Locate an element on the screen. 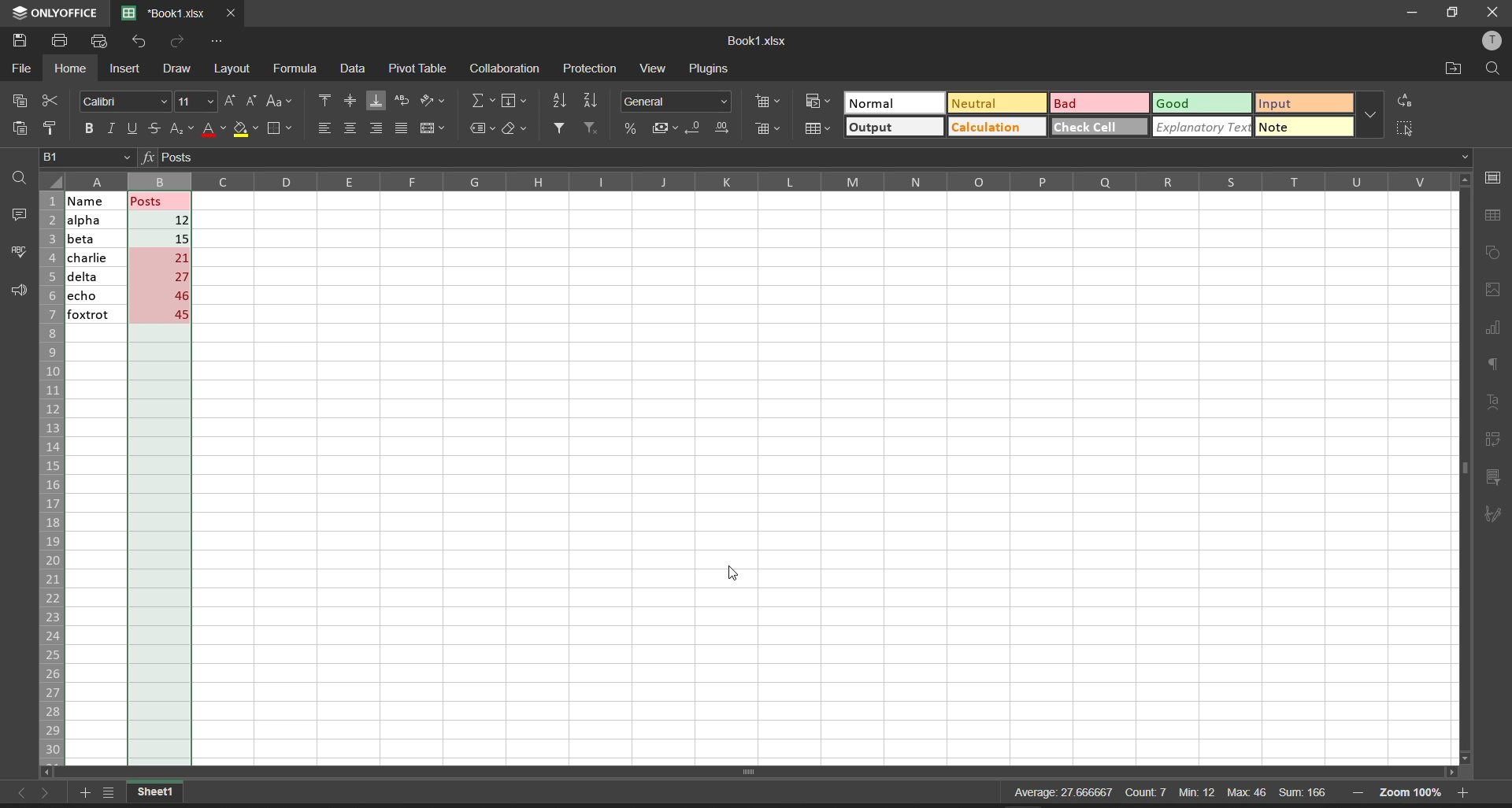 Image resolution: width=1512 pixels, height=808 pixels. list of sheets is located at coordinates (109, 791).